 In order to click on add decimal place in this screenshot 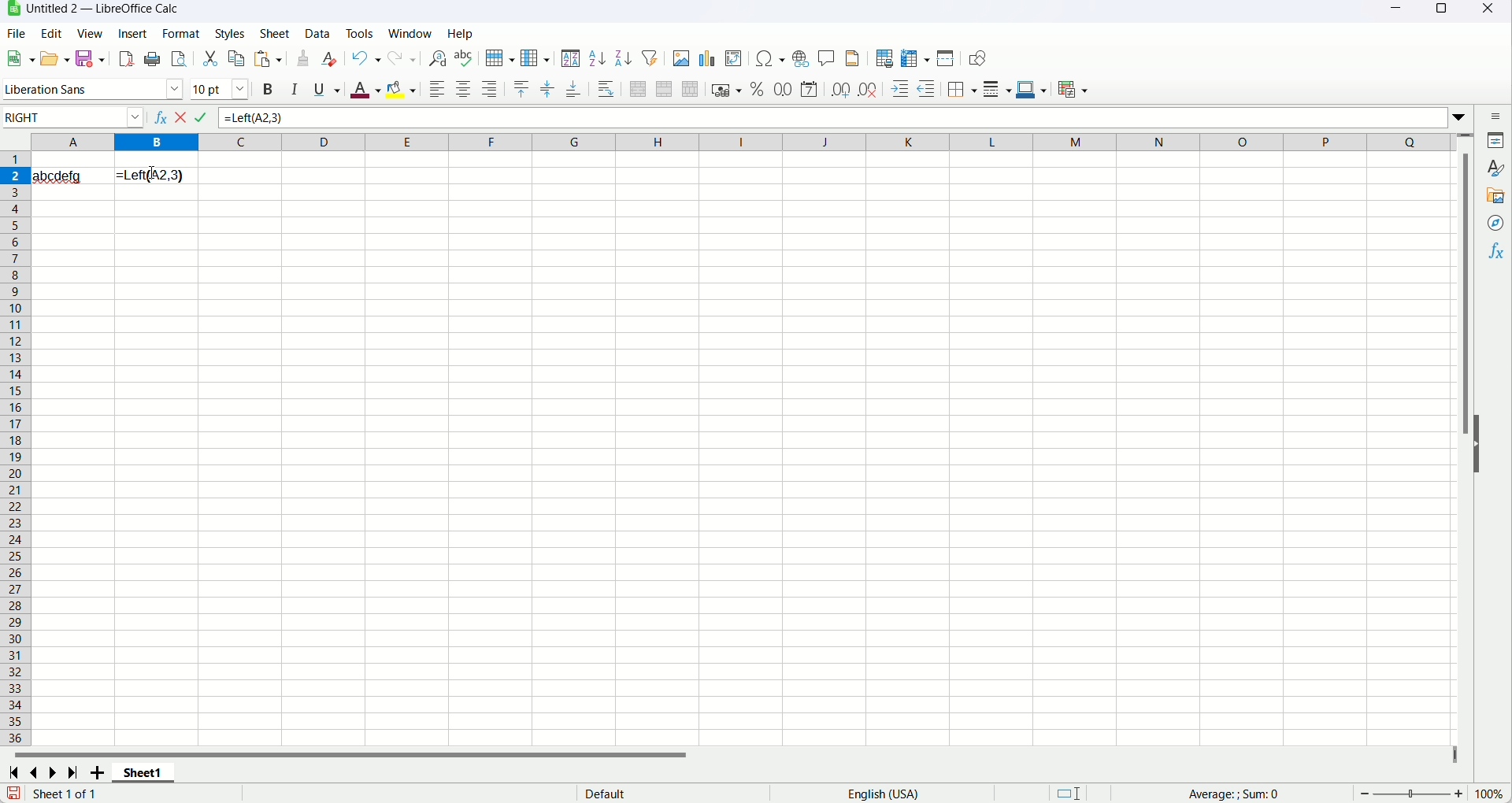, I will do `click(841, 89)`.